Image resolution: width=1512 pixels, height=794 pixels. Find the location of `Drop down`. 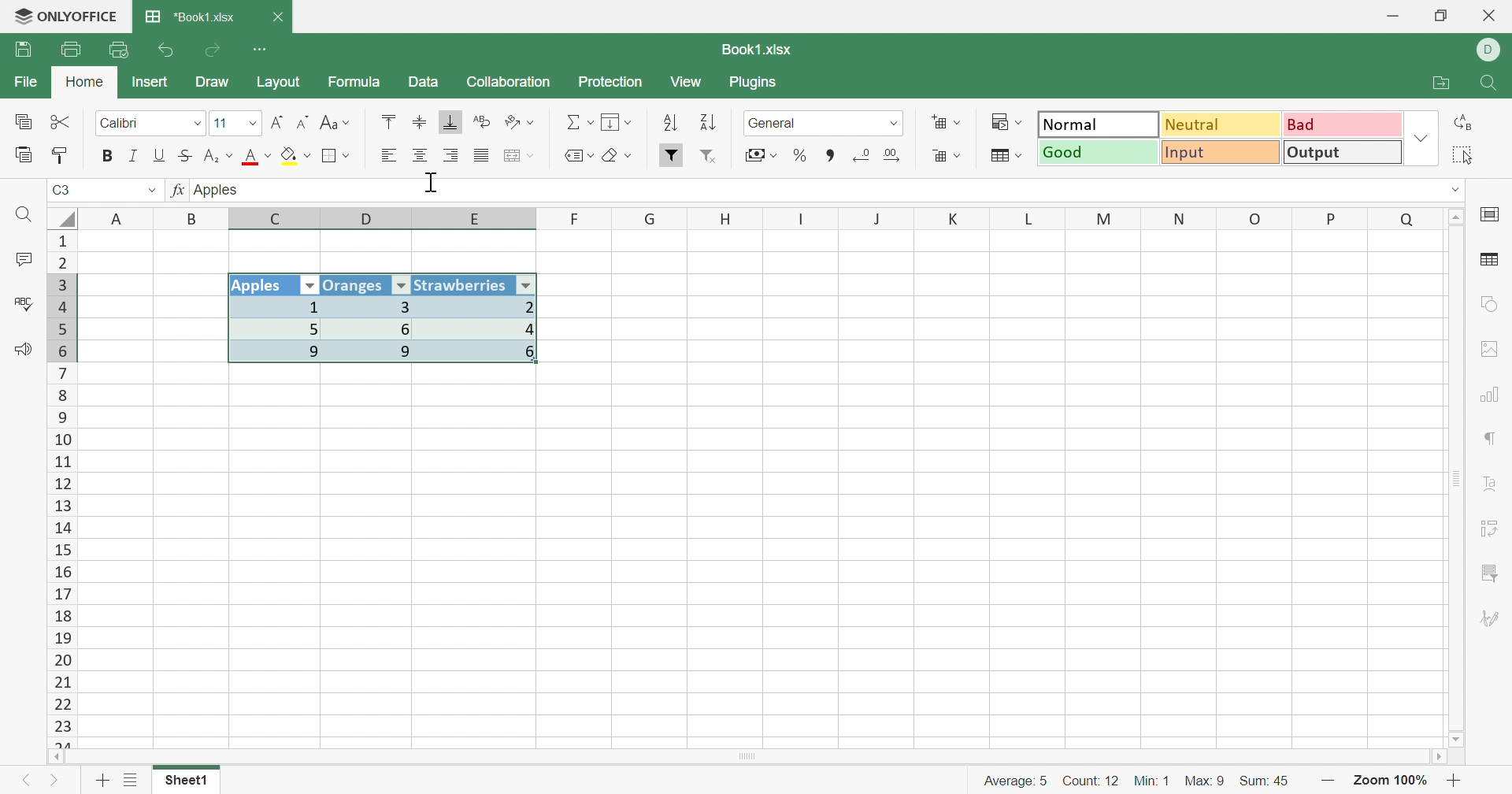

Drop down is located at coordinates (895, 123).